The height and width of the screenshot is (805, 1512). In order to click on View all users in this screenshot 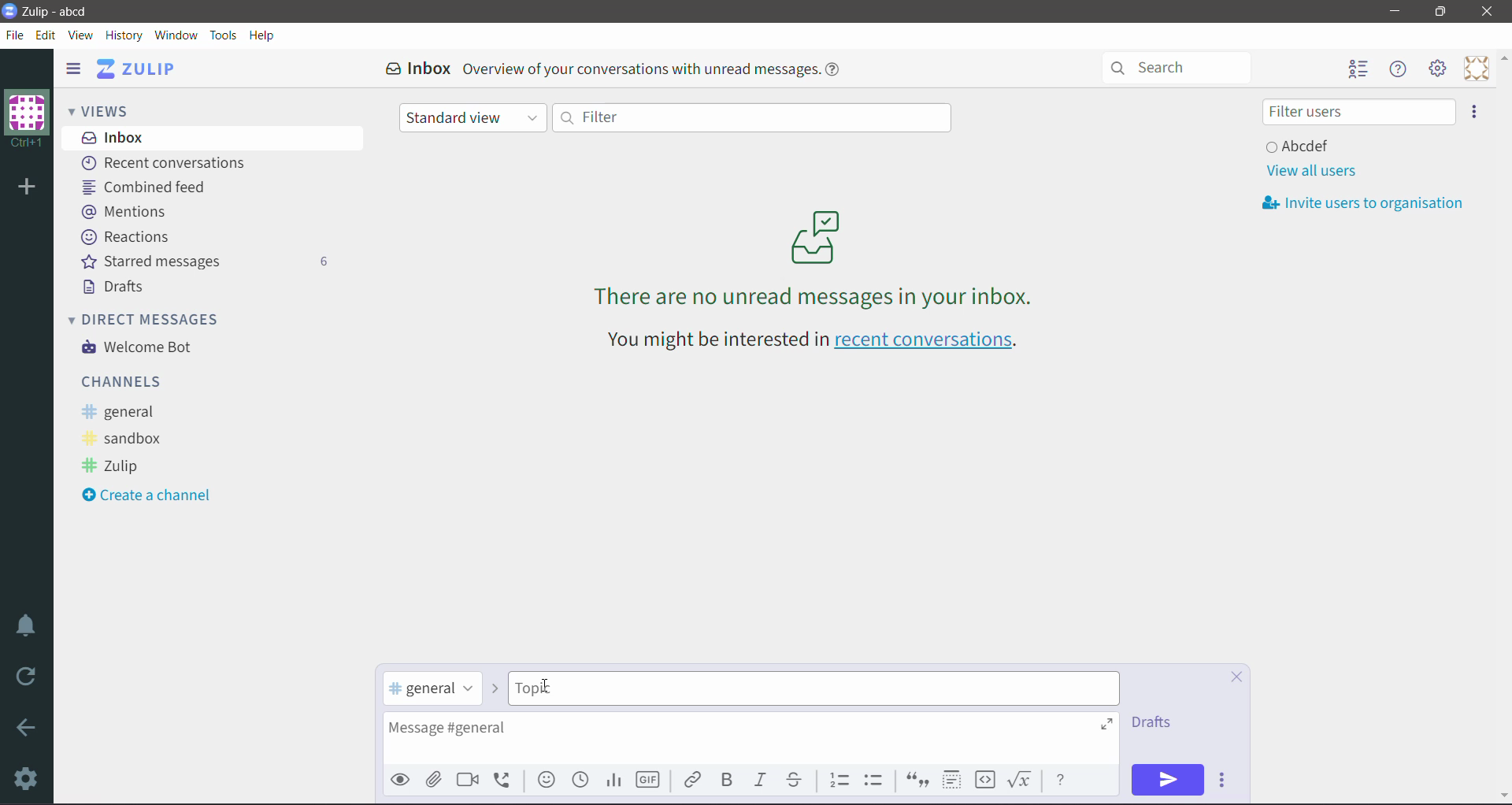, I will do `click(1310, 171)`.